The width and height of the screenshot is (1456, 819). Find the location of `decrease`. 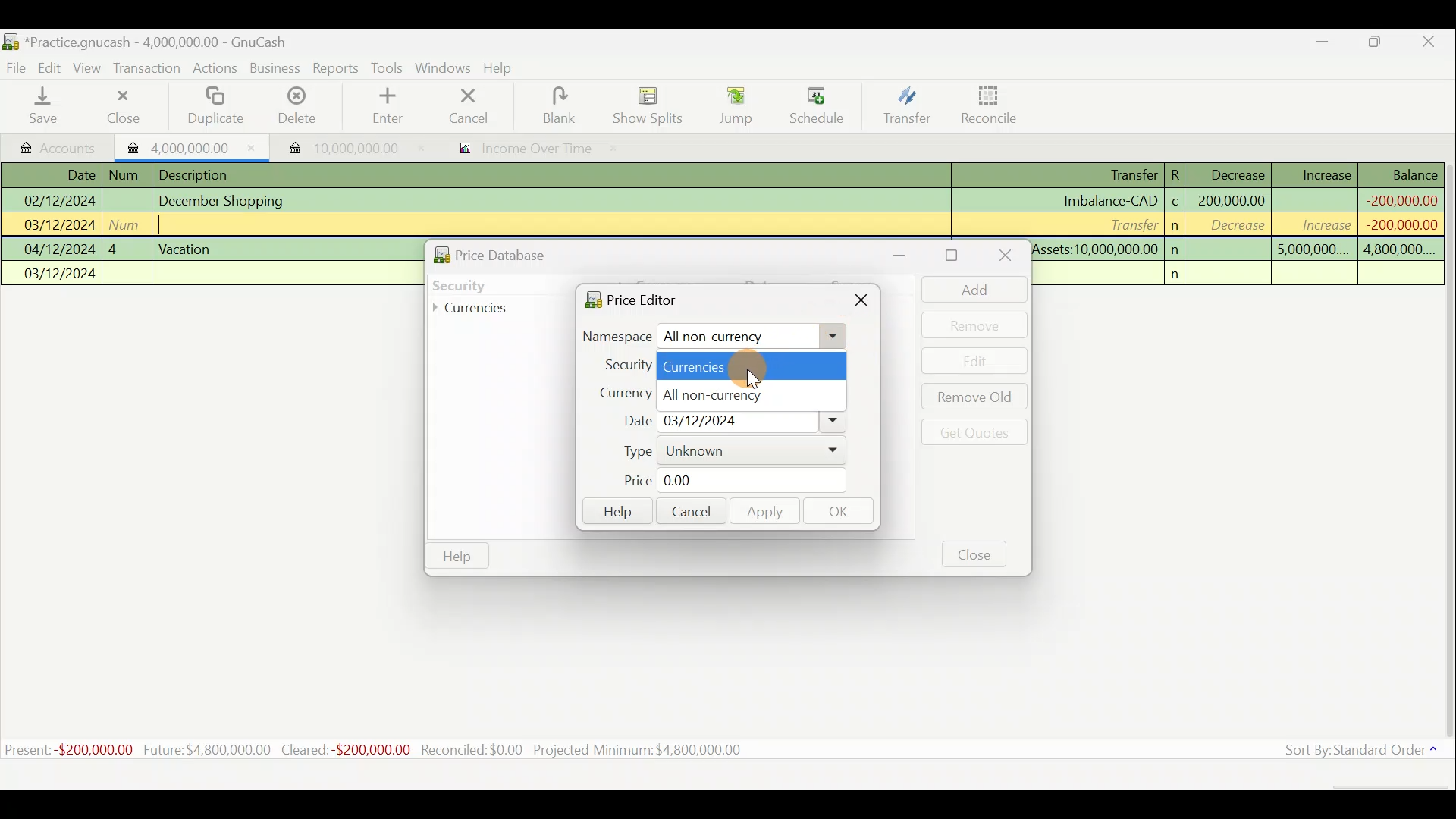

decrease is located at coordinates (1233, 227).